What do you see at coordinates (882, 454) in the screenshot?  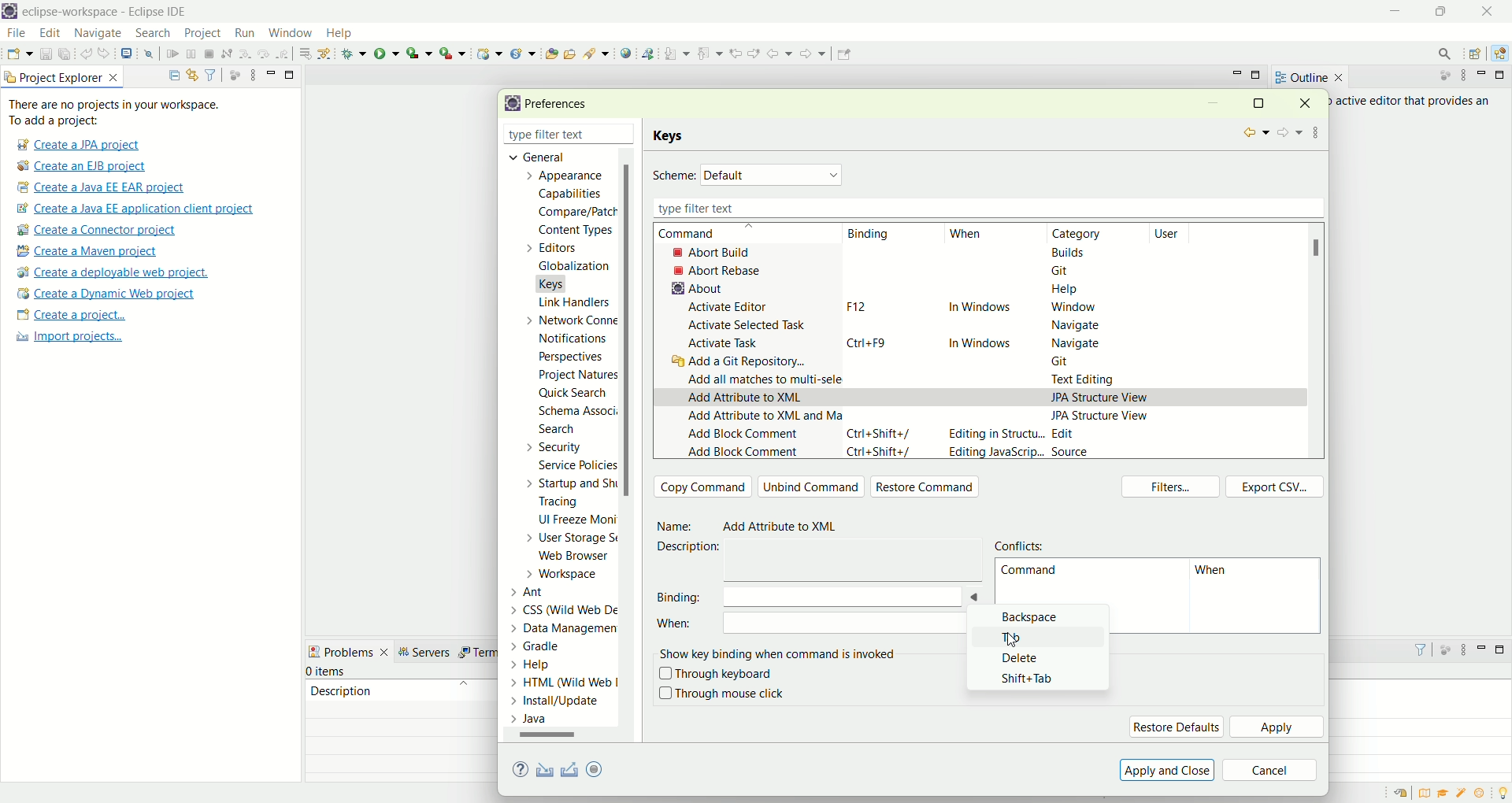 I see `ctrl+shift+/` at bounding box center [882, 454].